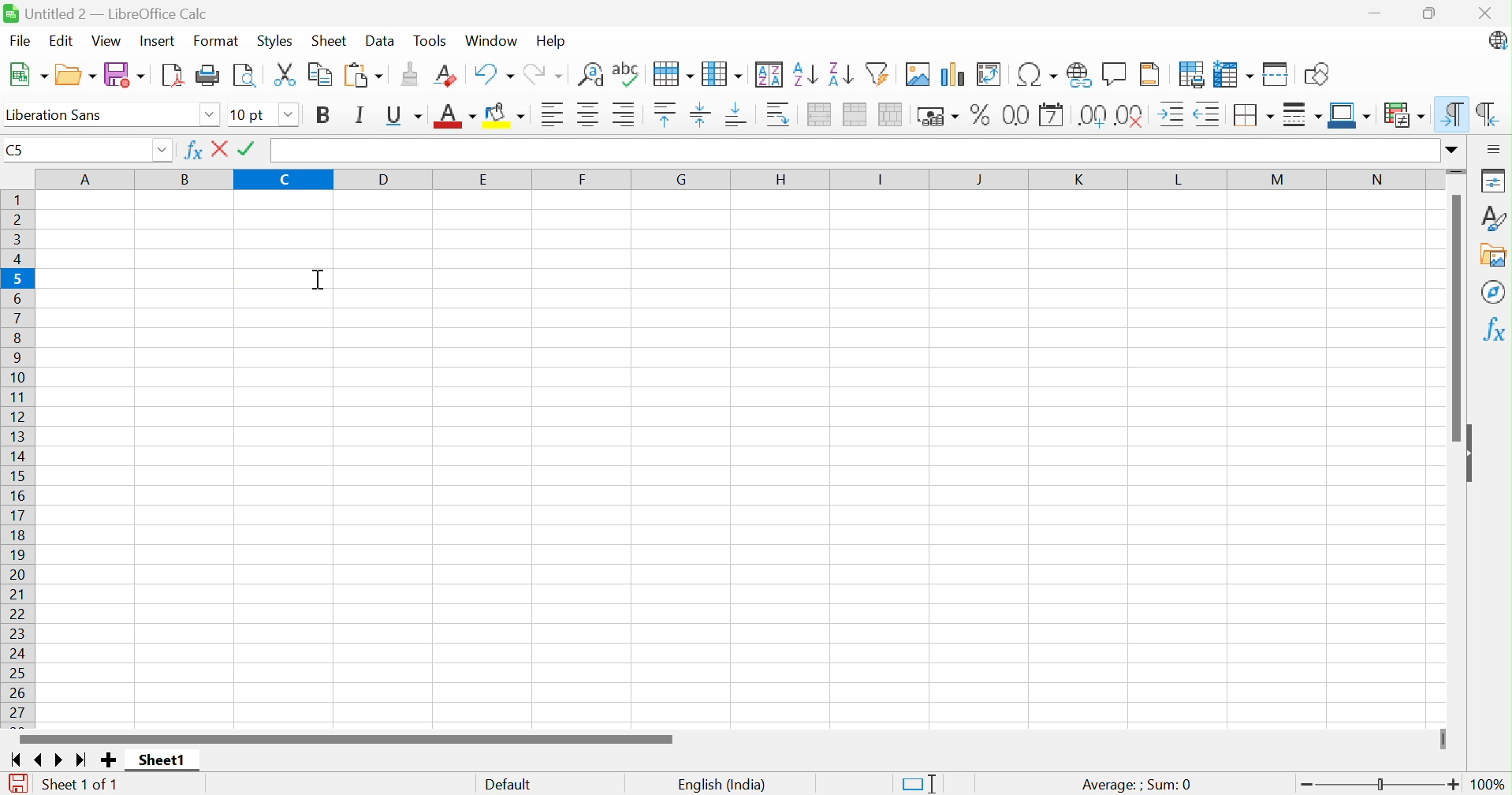  I want to click on Italic, so click(360, 114).